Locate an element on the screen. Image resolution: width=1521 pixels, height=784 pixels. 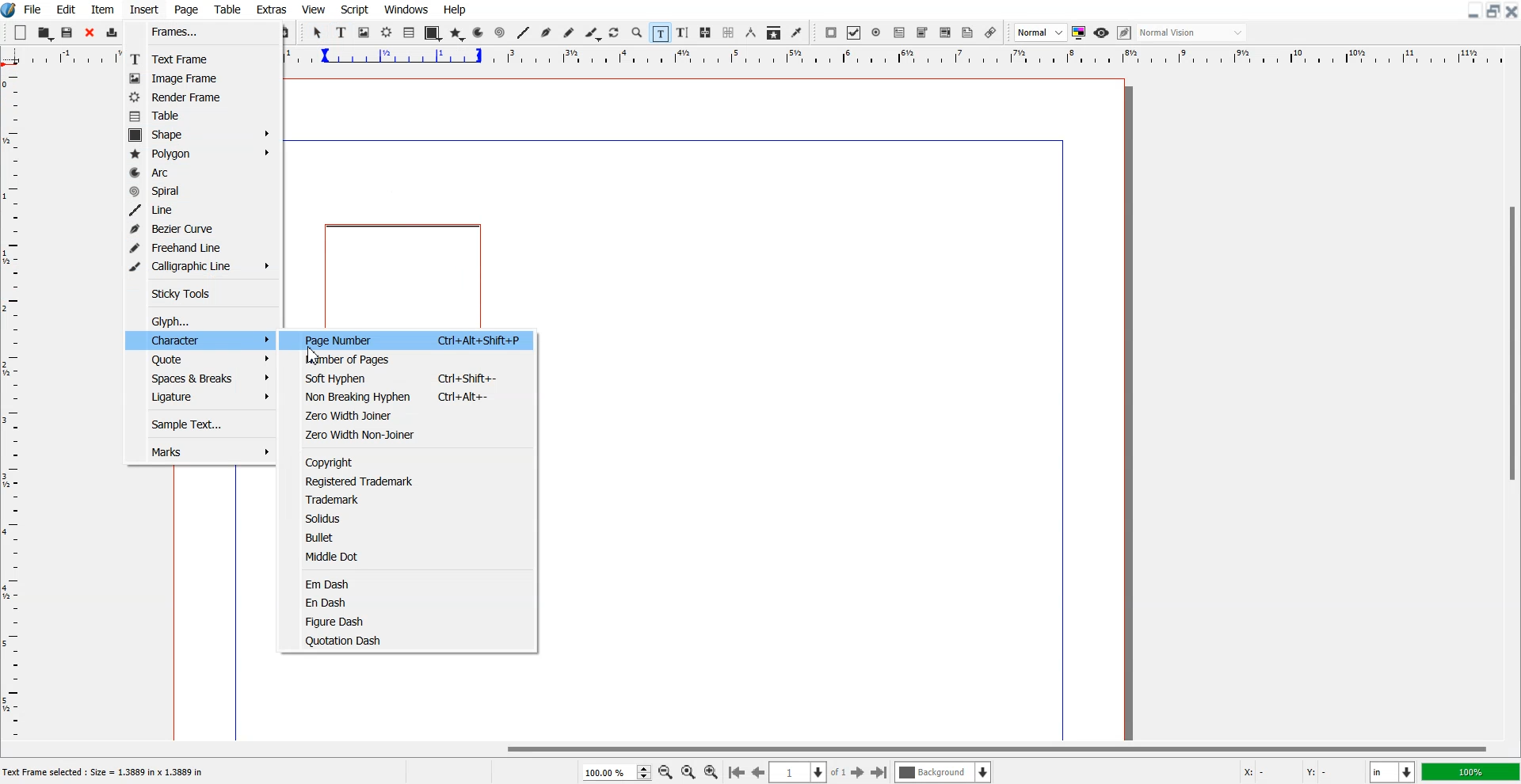
Zero Width Non-Joiner is located at coordinates (414, 434).